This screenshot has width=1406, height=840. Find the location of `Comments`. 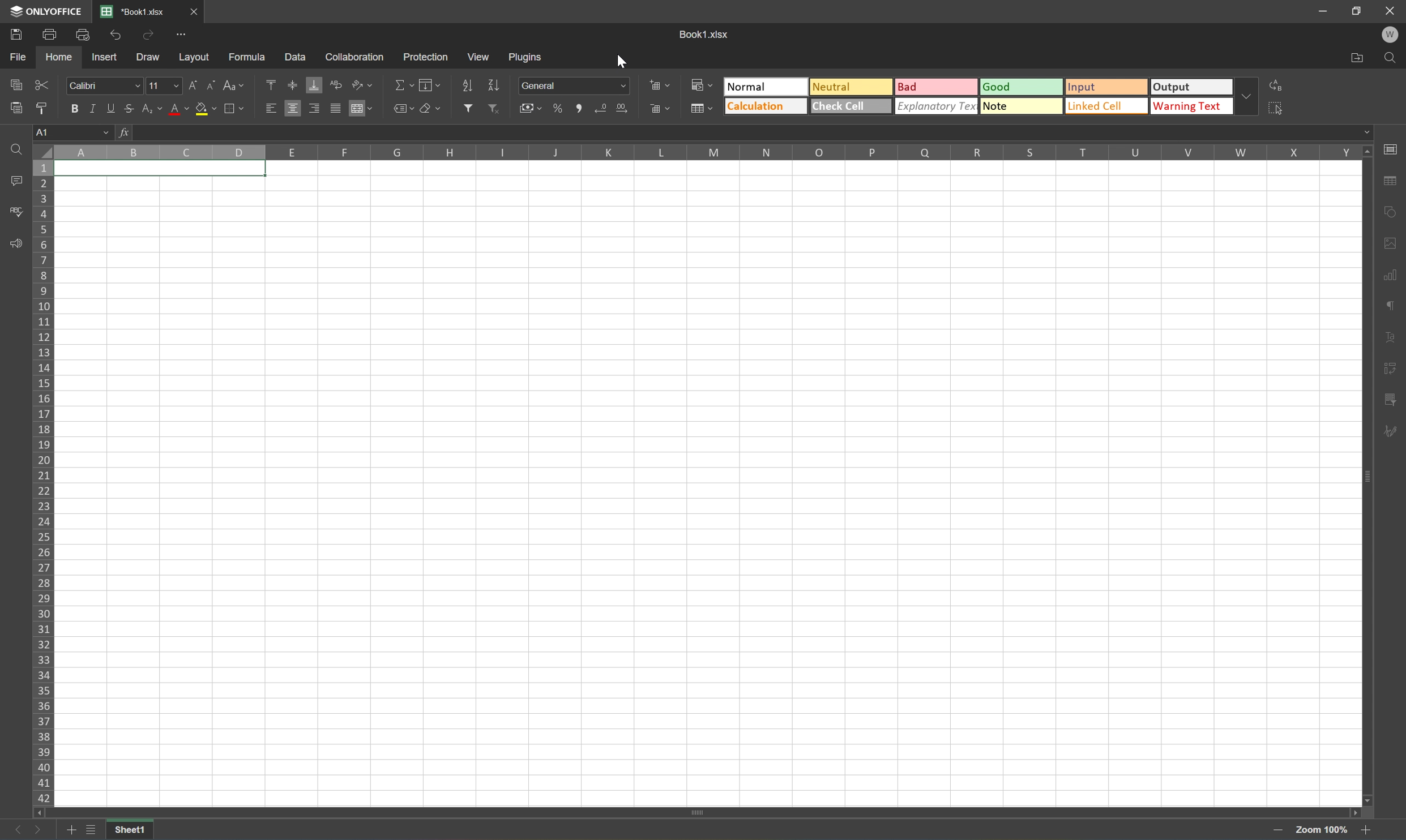

Comments is located at coordinates (16, 180).